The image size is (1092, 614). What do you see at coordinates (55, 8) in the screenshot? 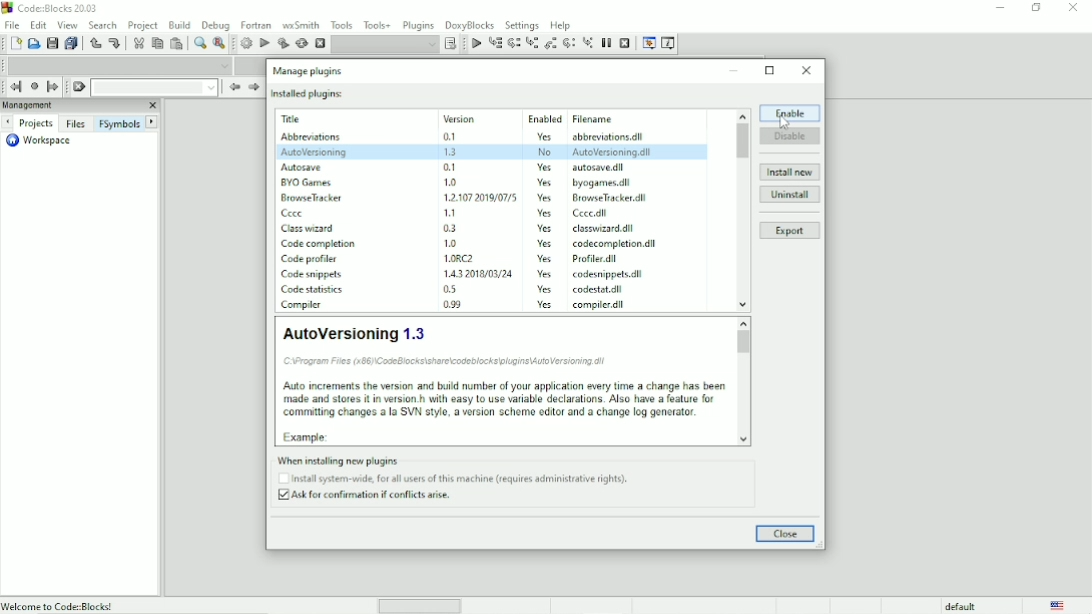
I see `Title` at bounding box center [55, 8].